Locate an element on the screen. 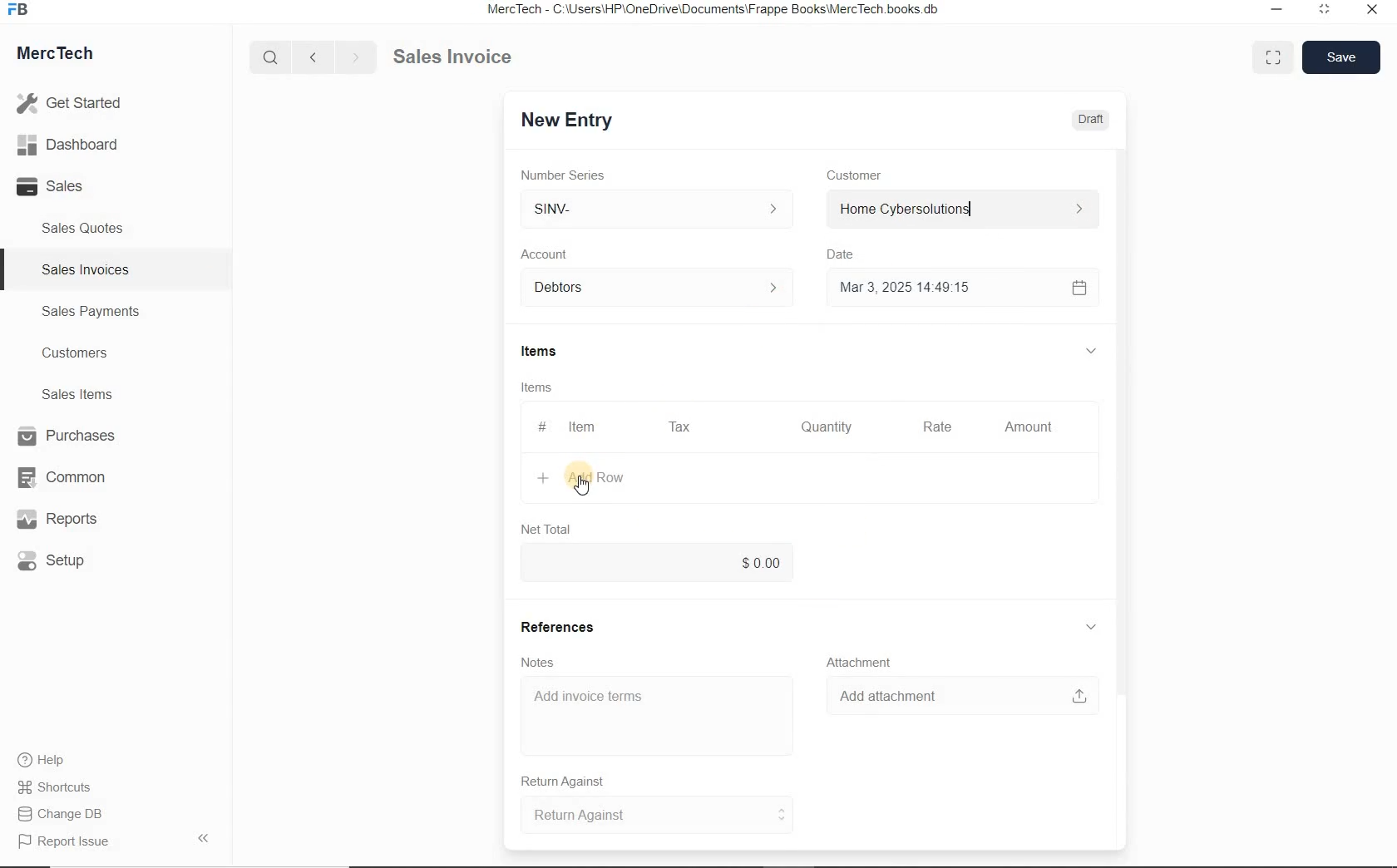 The height and width of the screenshot is (868, 1397). Dashboard is located at coordinates (76, 145).